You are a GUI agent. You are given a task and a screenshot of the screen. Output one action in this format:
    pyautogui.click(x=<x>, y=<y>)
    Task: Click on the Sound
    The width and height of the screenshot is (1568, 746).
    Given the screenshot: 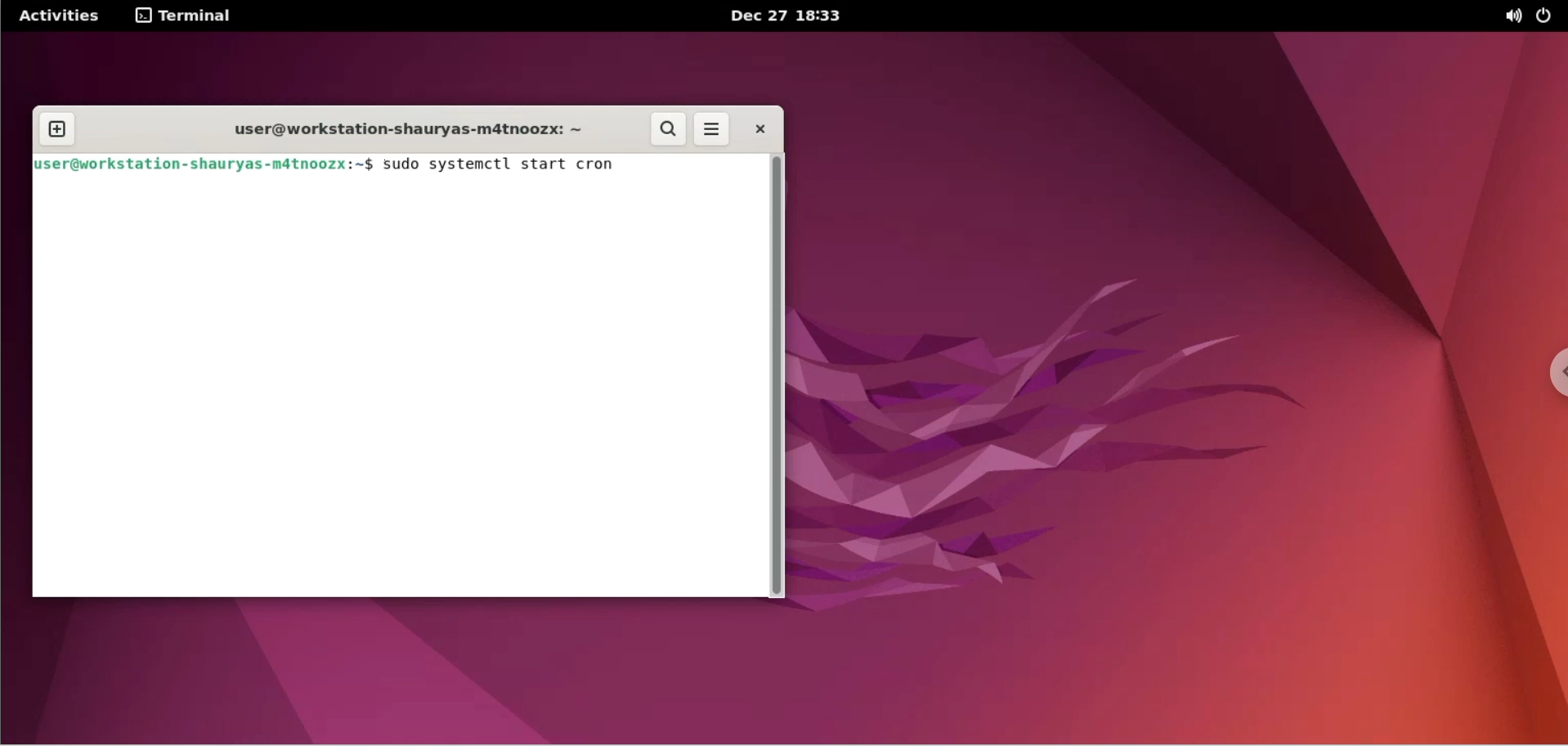 What is the action you would take?
    pyautogui.click(x=1514, y=17)
    